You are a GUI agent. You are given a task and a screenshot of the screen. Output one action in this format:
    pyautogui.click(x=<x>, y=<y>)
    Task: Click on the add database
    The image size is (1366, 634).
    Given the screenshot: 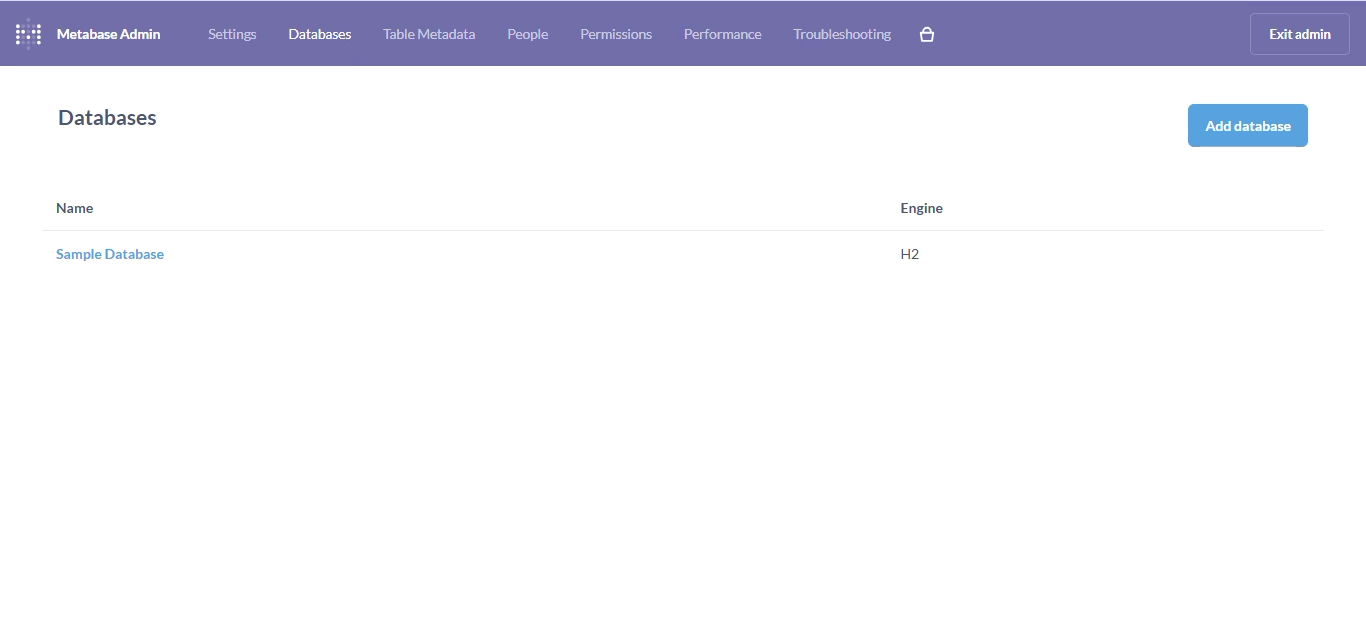 What is the action you would take?
    pyautogui.click(x=1250, y=125)
    